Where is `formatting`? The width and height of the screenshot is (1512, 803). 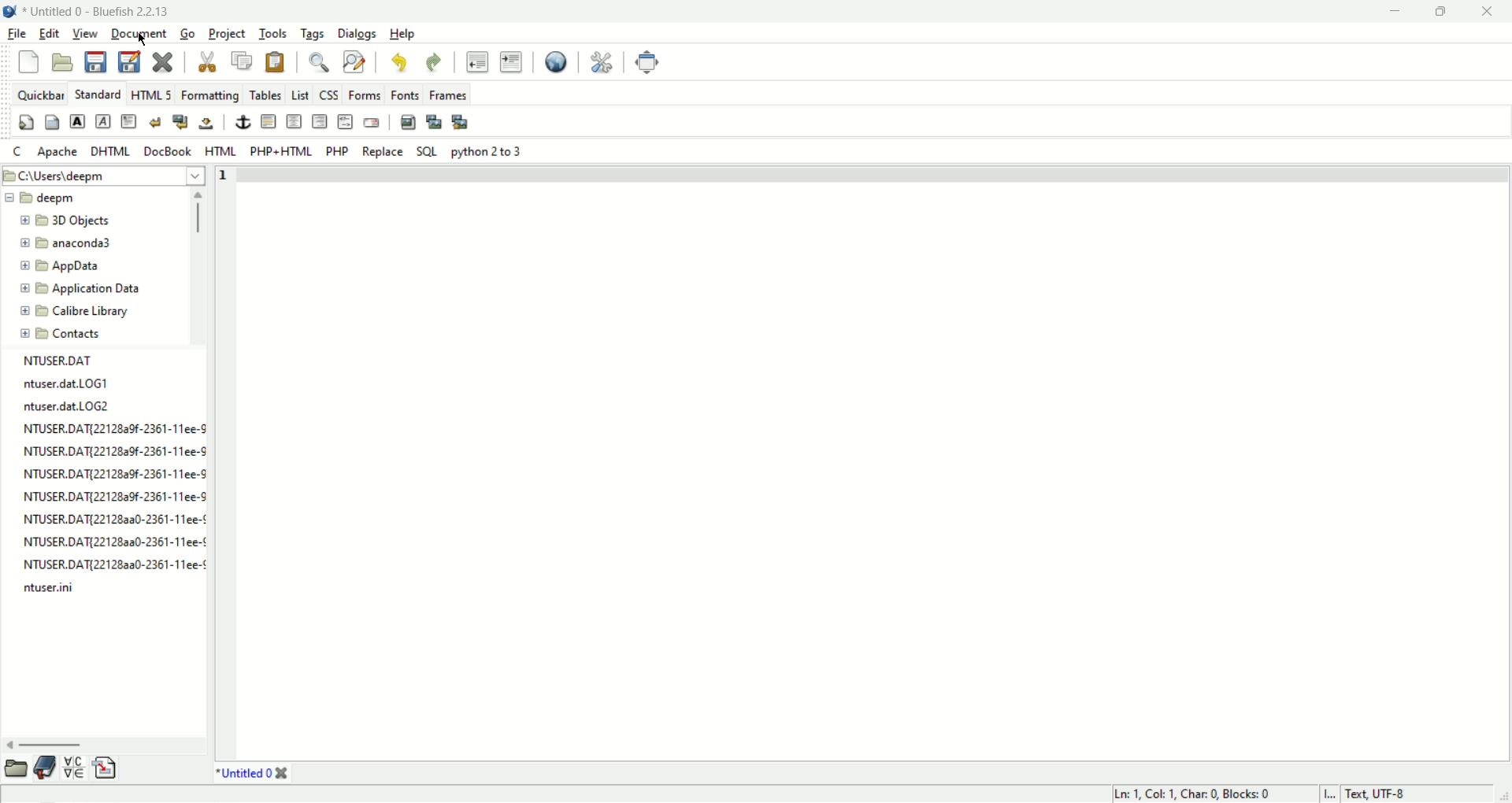
formatting is located at coordinates (210, 96).